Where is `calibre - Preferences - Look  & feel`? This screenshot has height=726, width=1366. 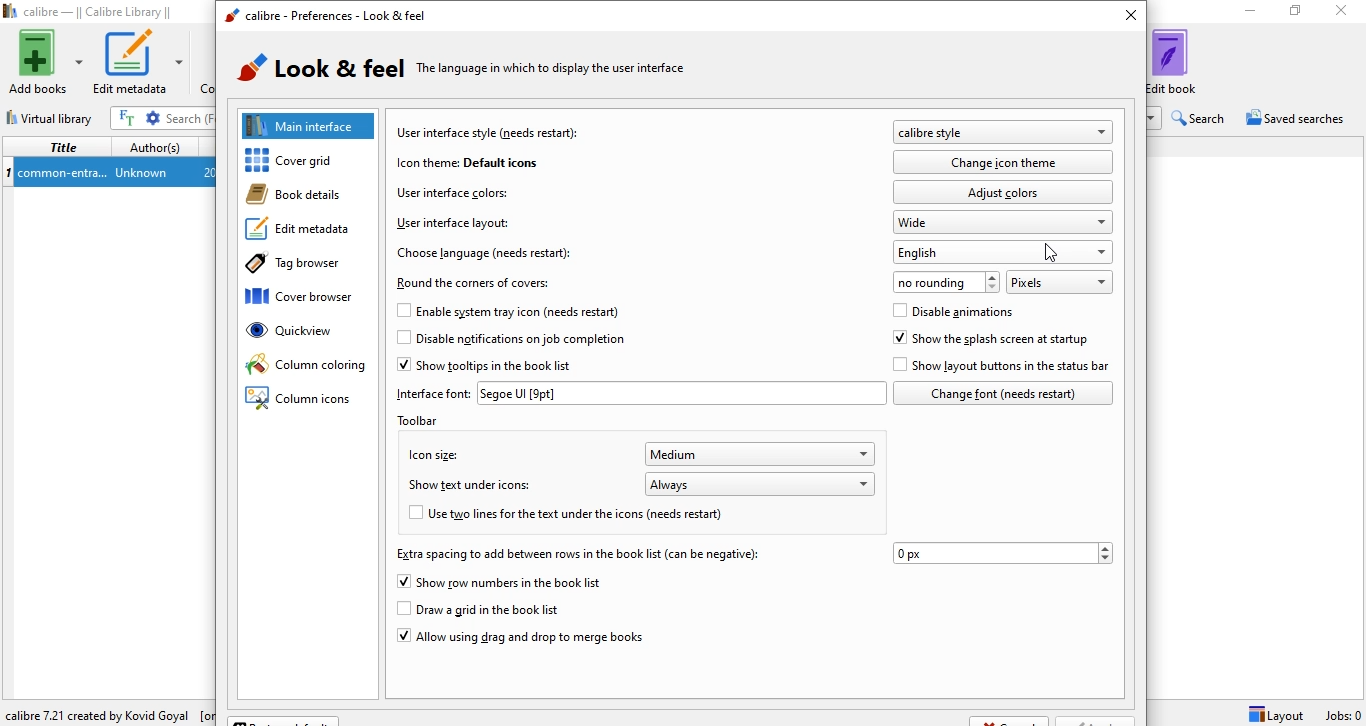
calibre - Preferences - Look  & feel is located at coordinates (324, 17).